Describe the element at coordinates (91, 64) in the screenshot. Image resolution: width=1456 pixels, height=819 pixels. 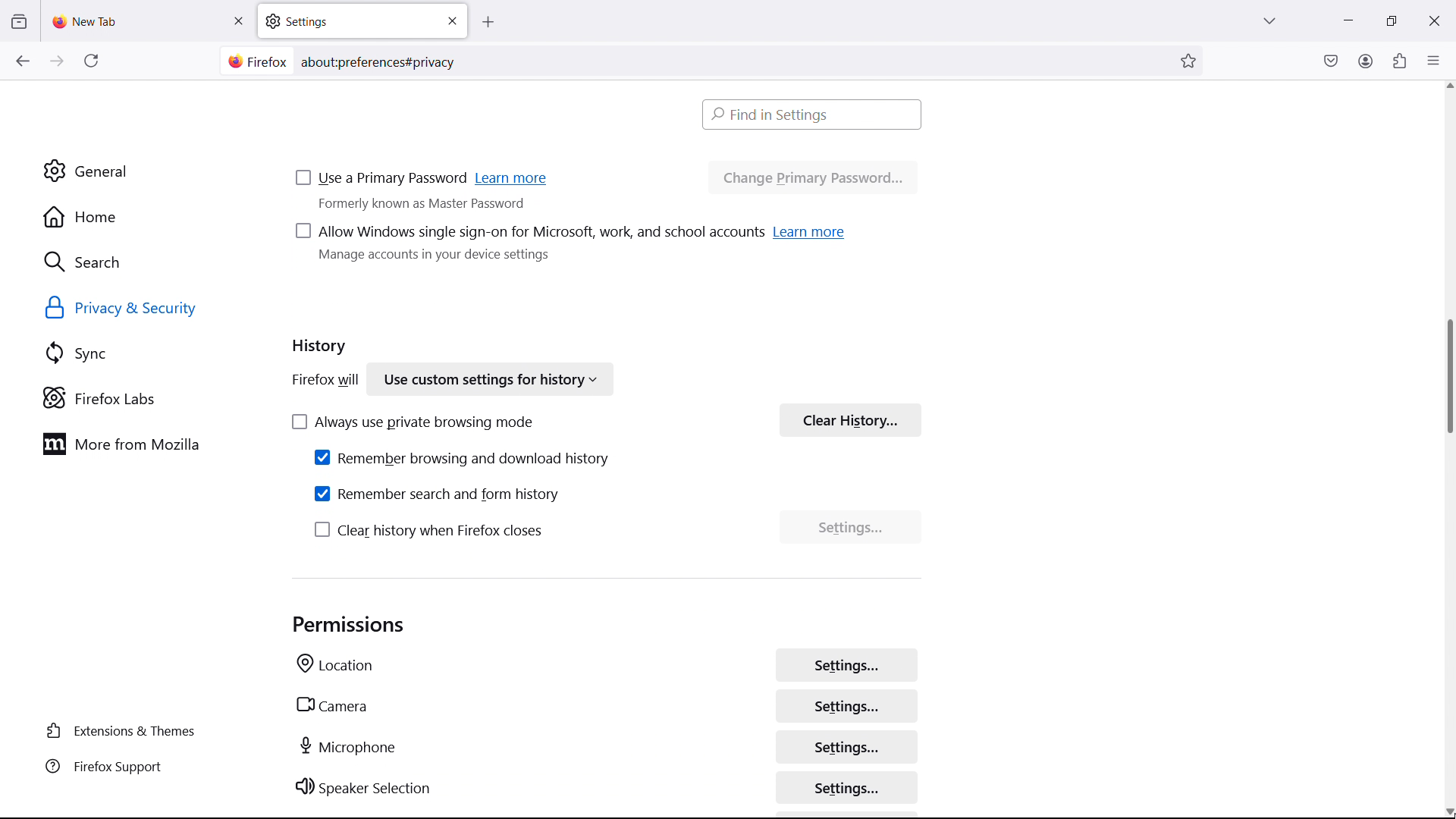
I see `reload current page` at that location.